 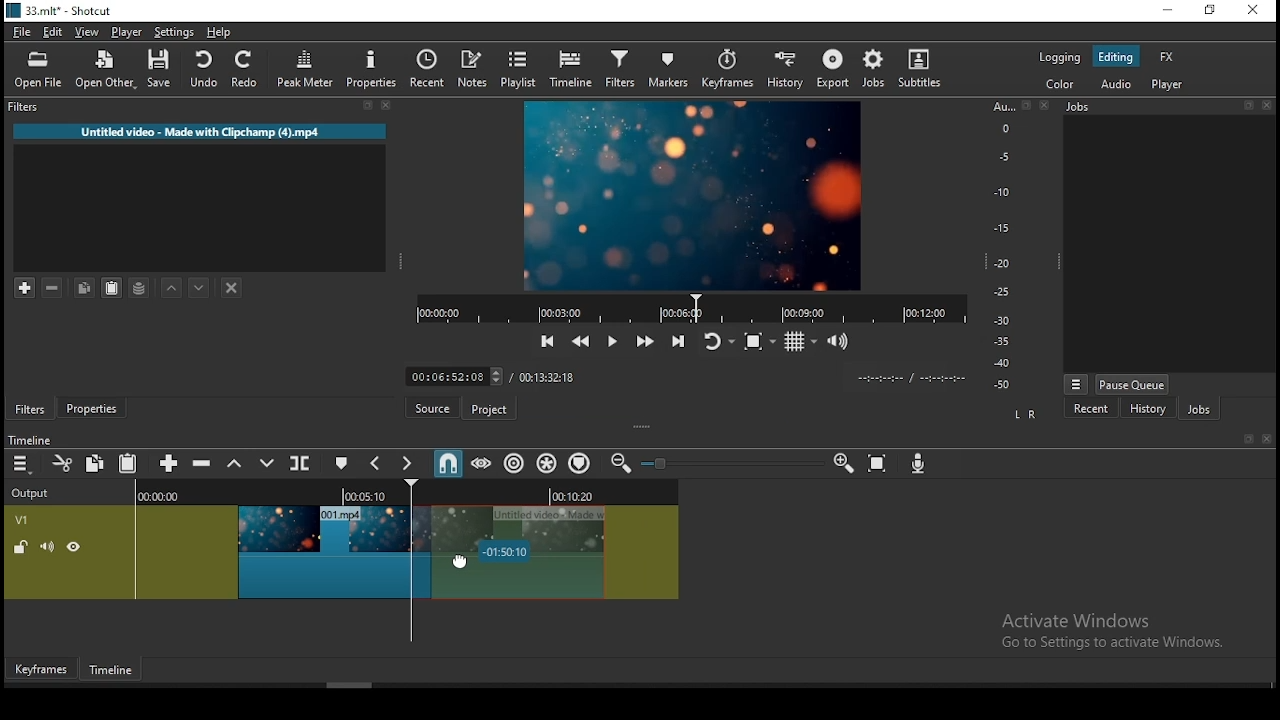 What do you see at coordinates (22, 464) in the screenshot?
I see `menu` at bounding box center [22, 464].